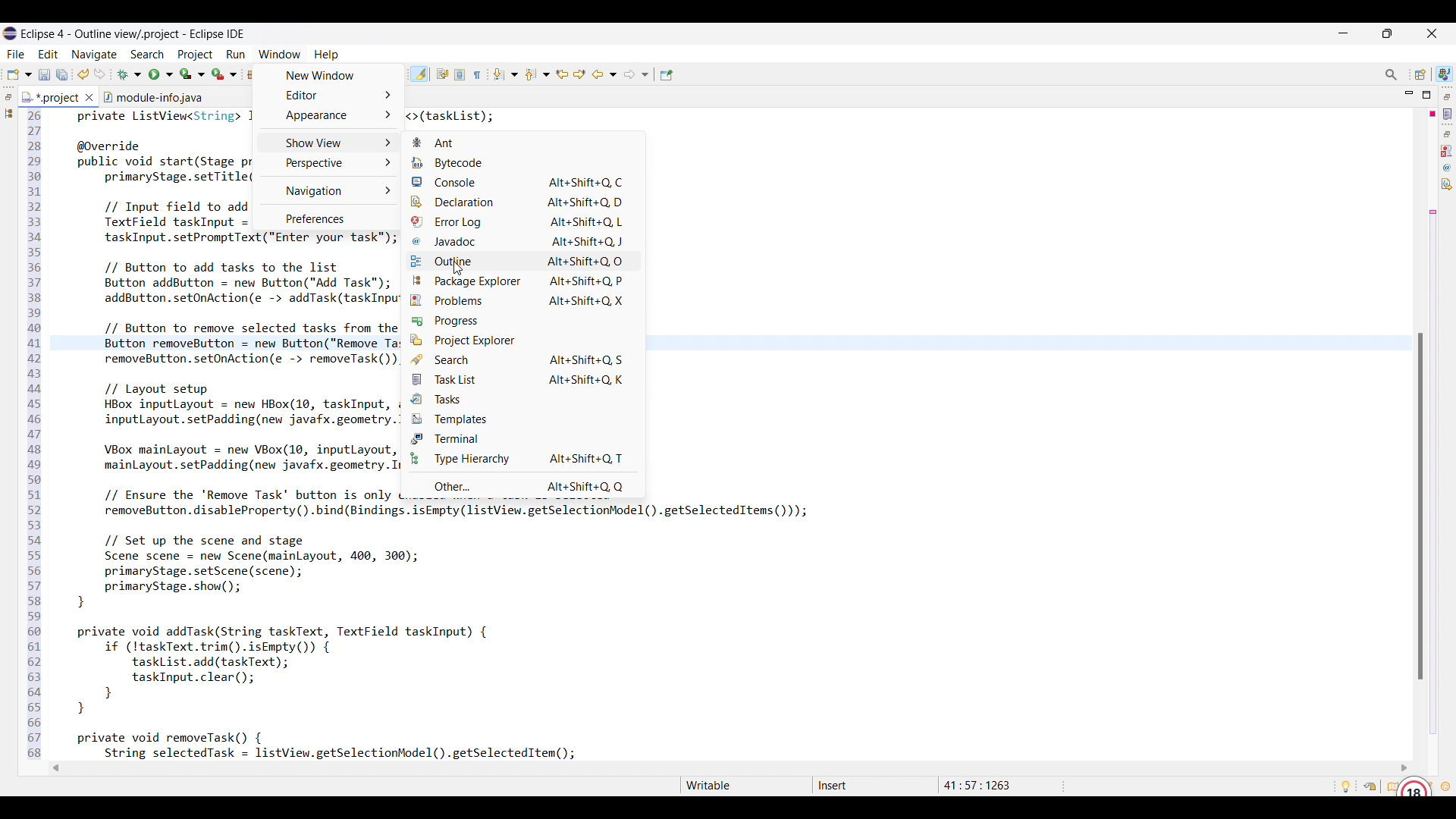 Image resolution: width=1456 pixels, height=819 pixels. Describe the element at coordinates (193, 74) in the screenshot. I see `Coverage options` at that location.